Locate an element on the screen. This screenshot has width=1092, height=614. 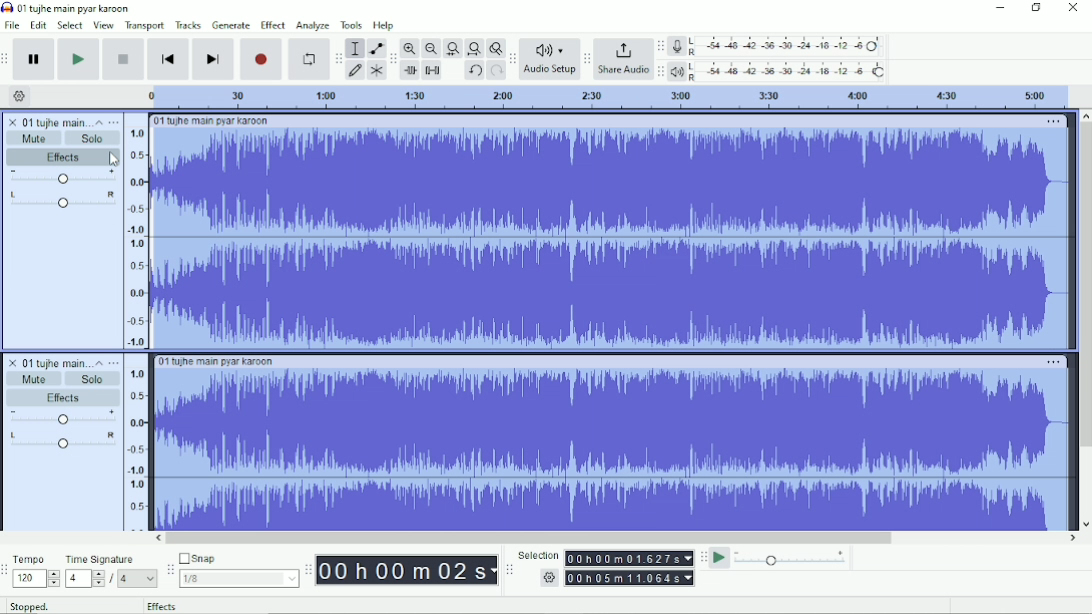
Zoom Out is located at coordinates (430, 49).